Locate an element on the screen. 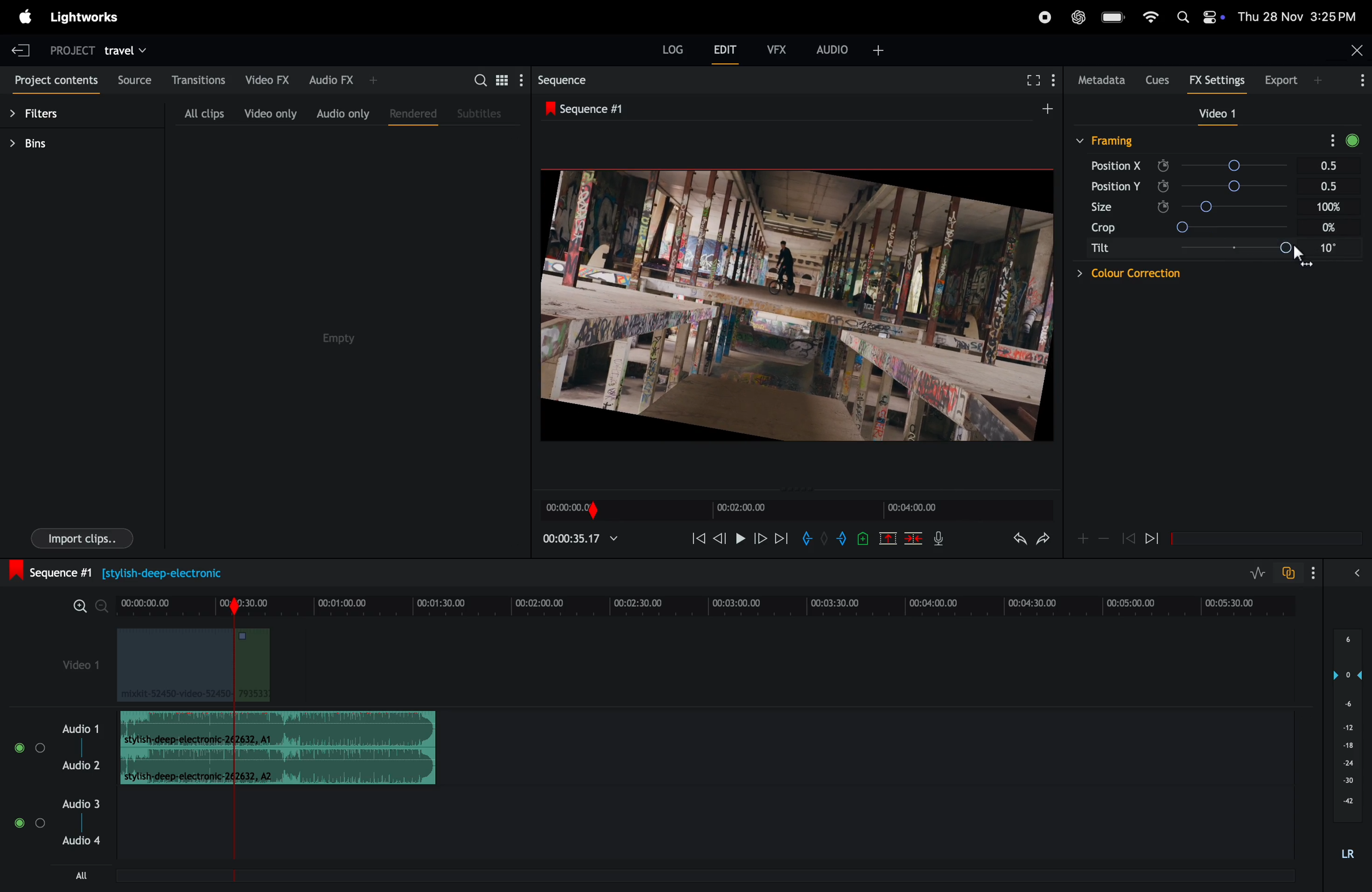 This screenshot has height=892, width=1372. toggle auto track sync is located at coordinates (1289, 572).